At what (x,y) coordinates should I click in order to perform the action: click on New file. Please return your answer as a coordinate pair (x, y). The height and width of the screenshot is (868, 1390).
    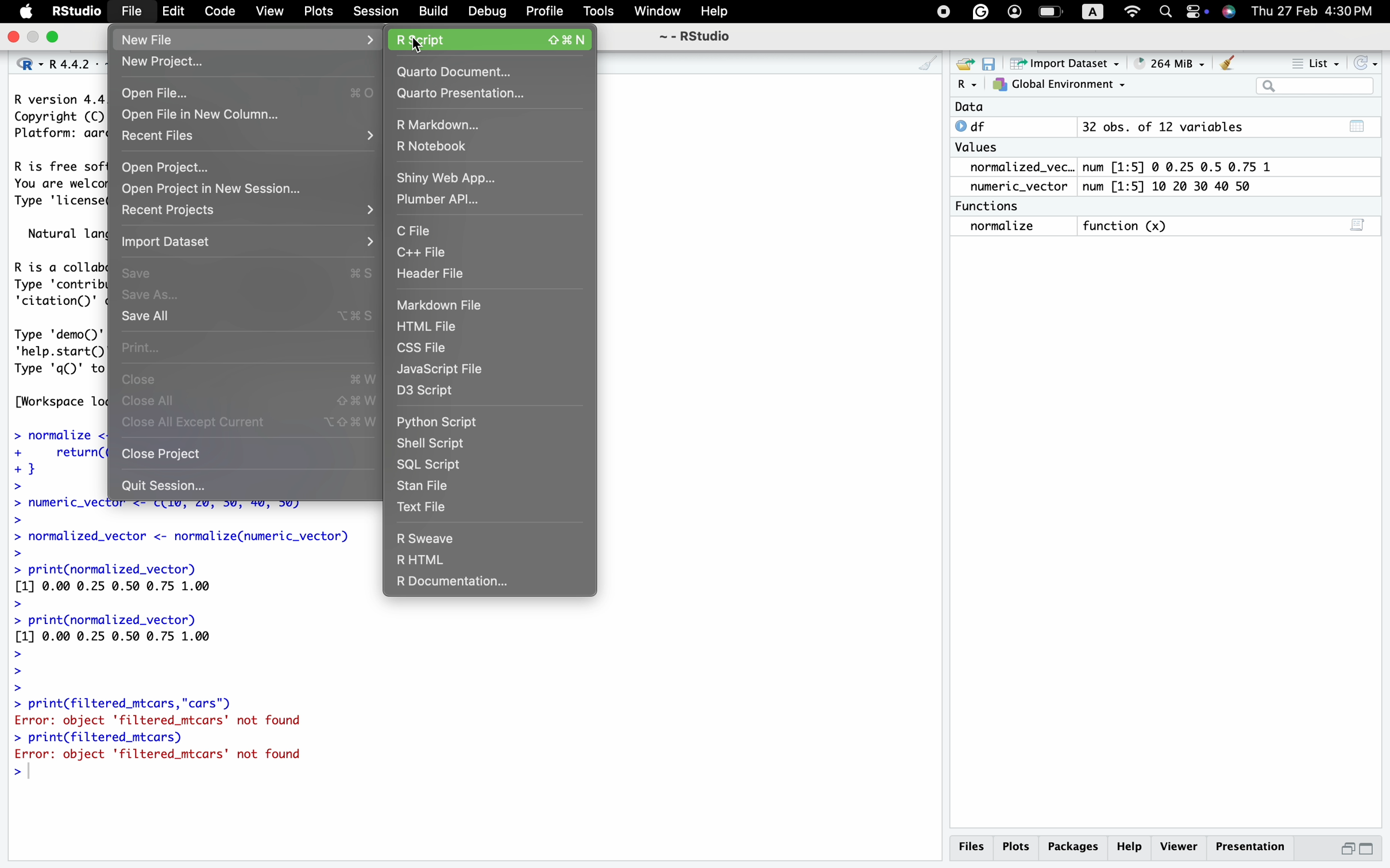
    Looking at the image, I should click on (248, 40).